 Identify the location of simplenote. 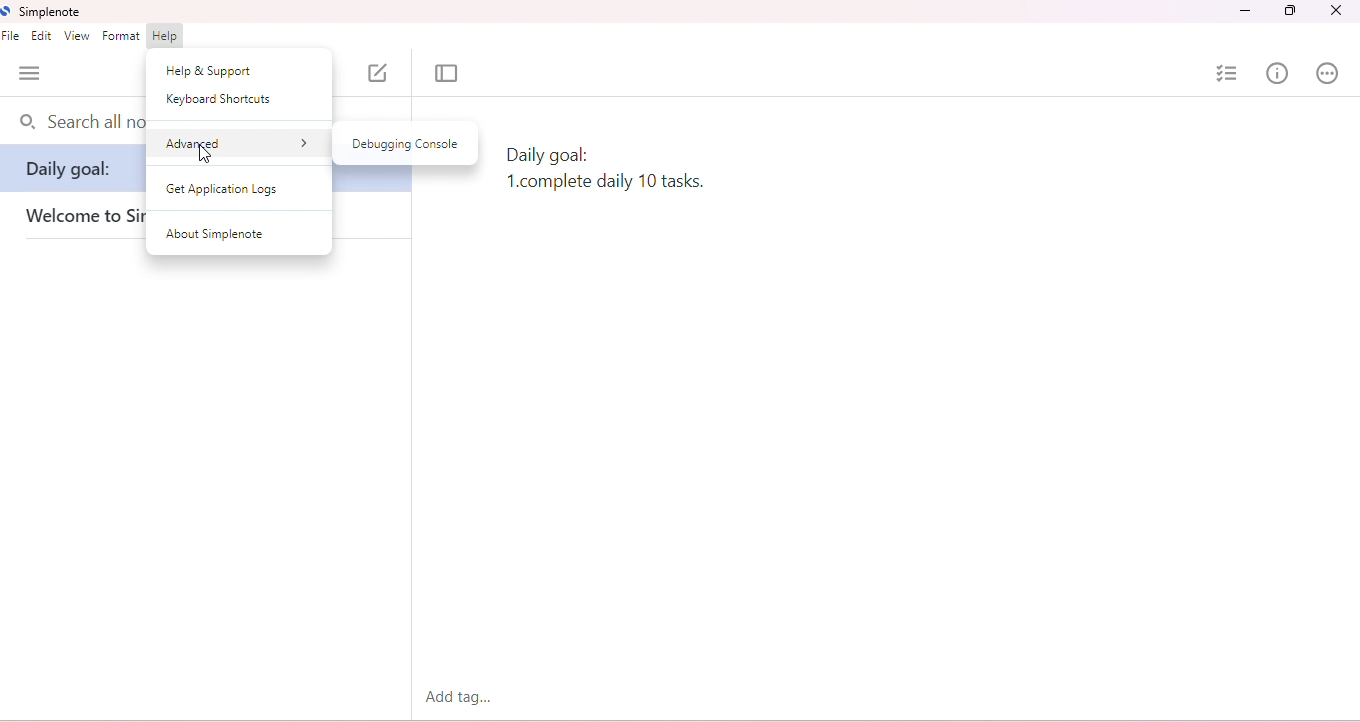
(42, 11).